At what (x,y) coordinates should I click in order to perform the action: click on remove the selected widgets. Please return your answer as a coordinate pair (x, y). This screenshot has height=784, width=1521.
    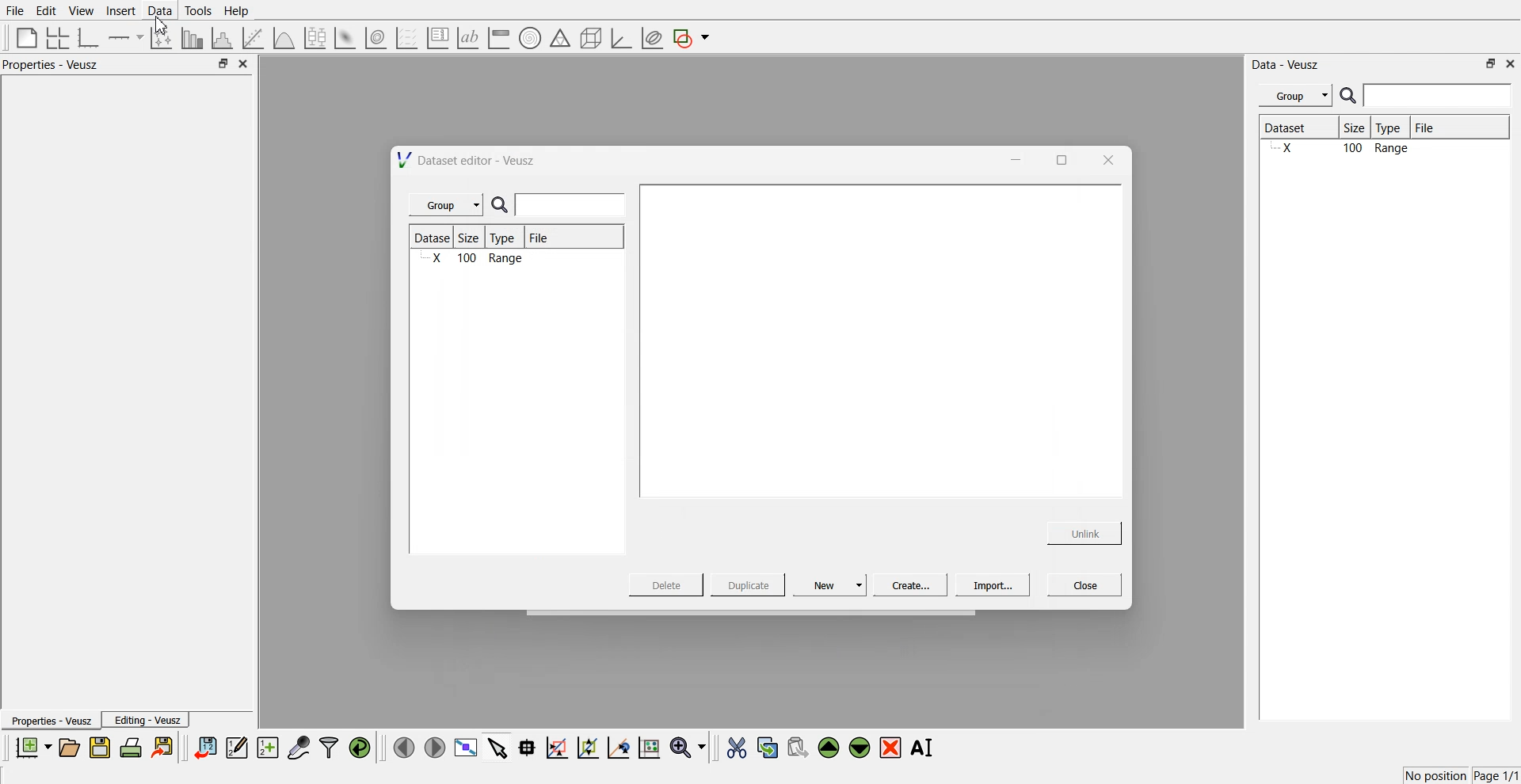
    Looking at the image, I should click on (892, 748).